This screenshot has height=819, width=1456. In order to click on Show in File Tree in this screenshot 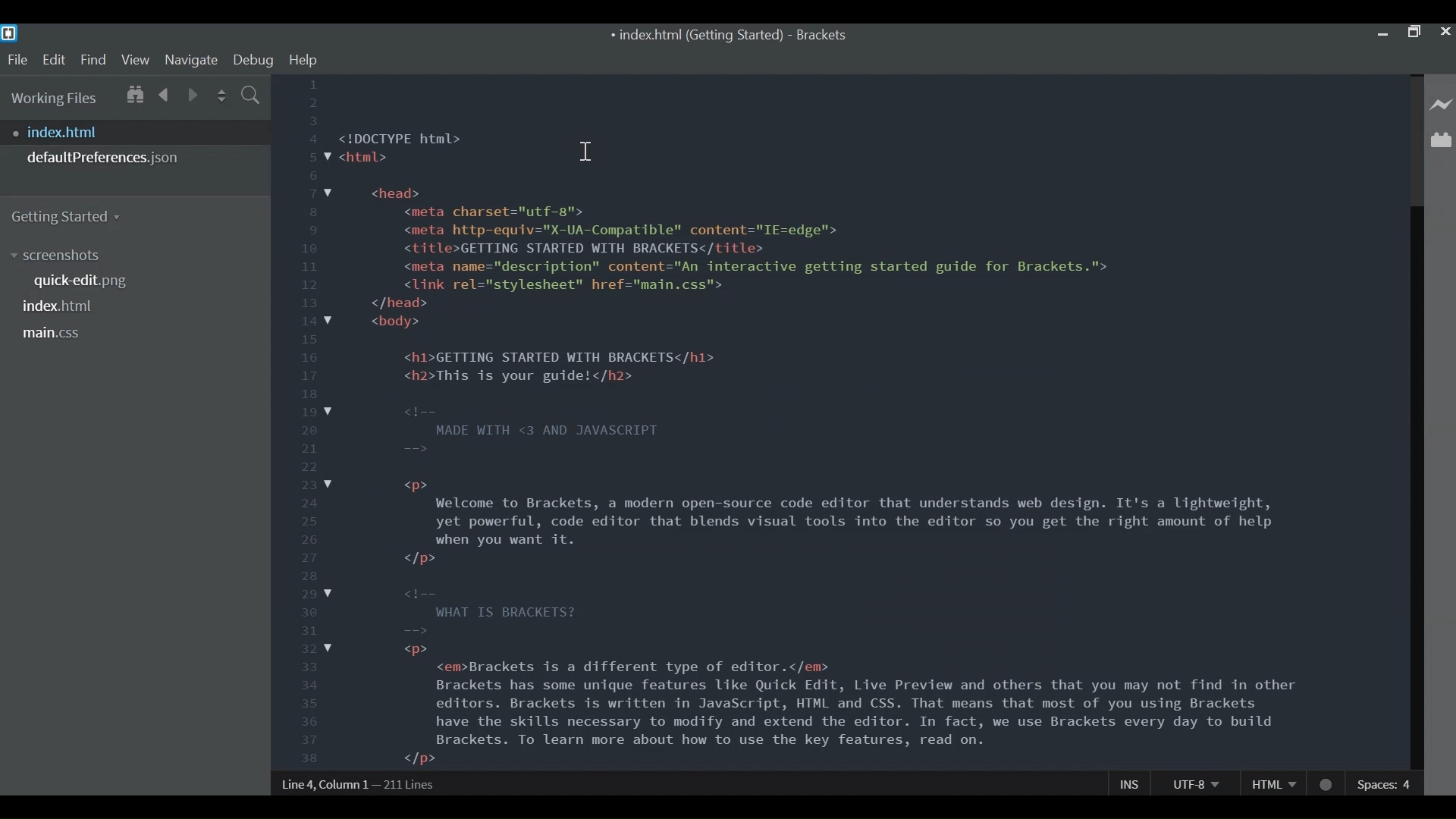, I will do `click(133, 93)`.